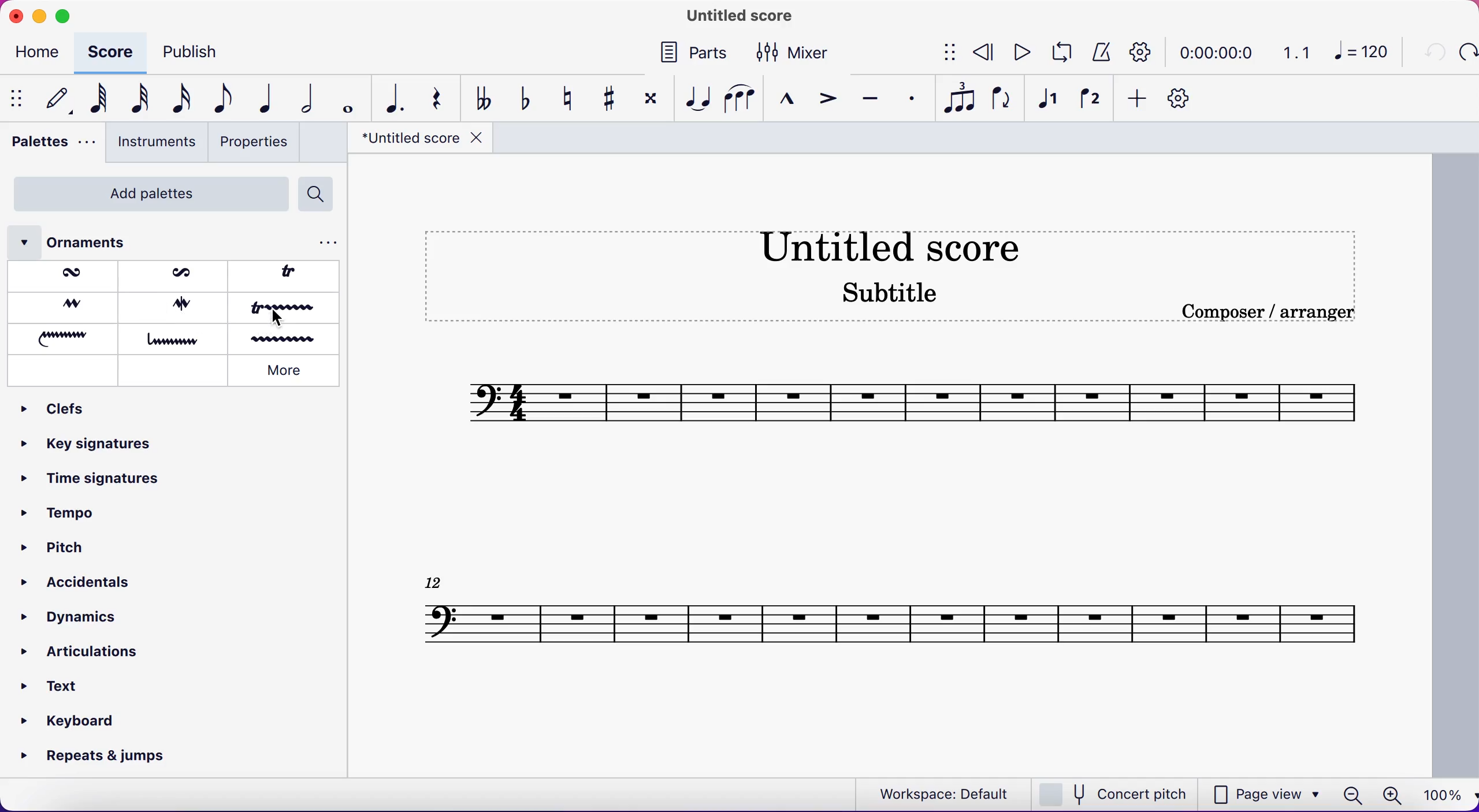 The height and width of the screenshot is (812, 1479). Describe the element at coordinates (1002, 100) in the screenshot. I see `flip direction` at that location.